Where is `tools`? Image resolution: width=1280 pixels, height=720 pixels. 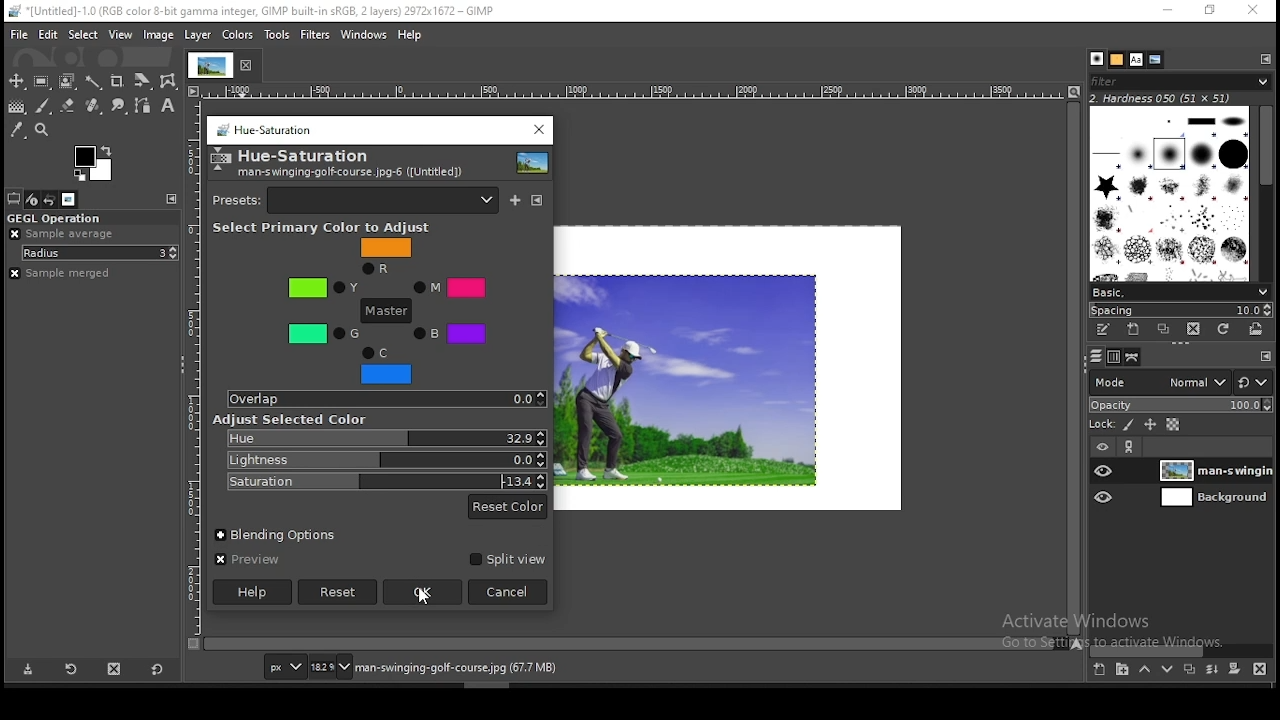 tools is located at coordinates (276, 35).